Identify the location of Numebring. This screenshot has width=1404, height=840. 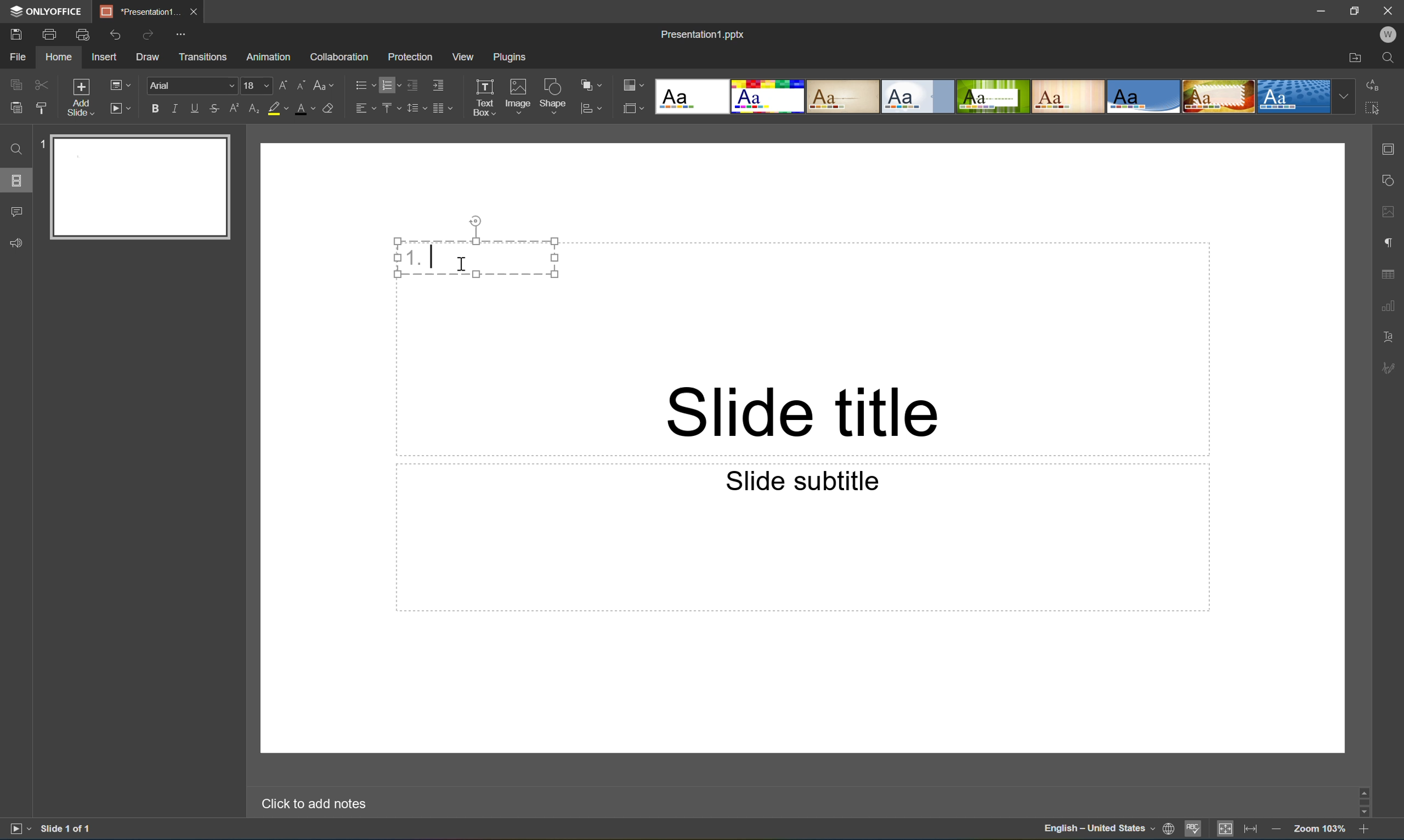
(392, 84).